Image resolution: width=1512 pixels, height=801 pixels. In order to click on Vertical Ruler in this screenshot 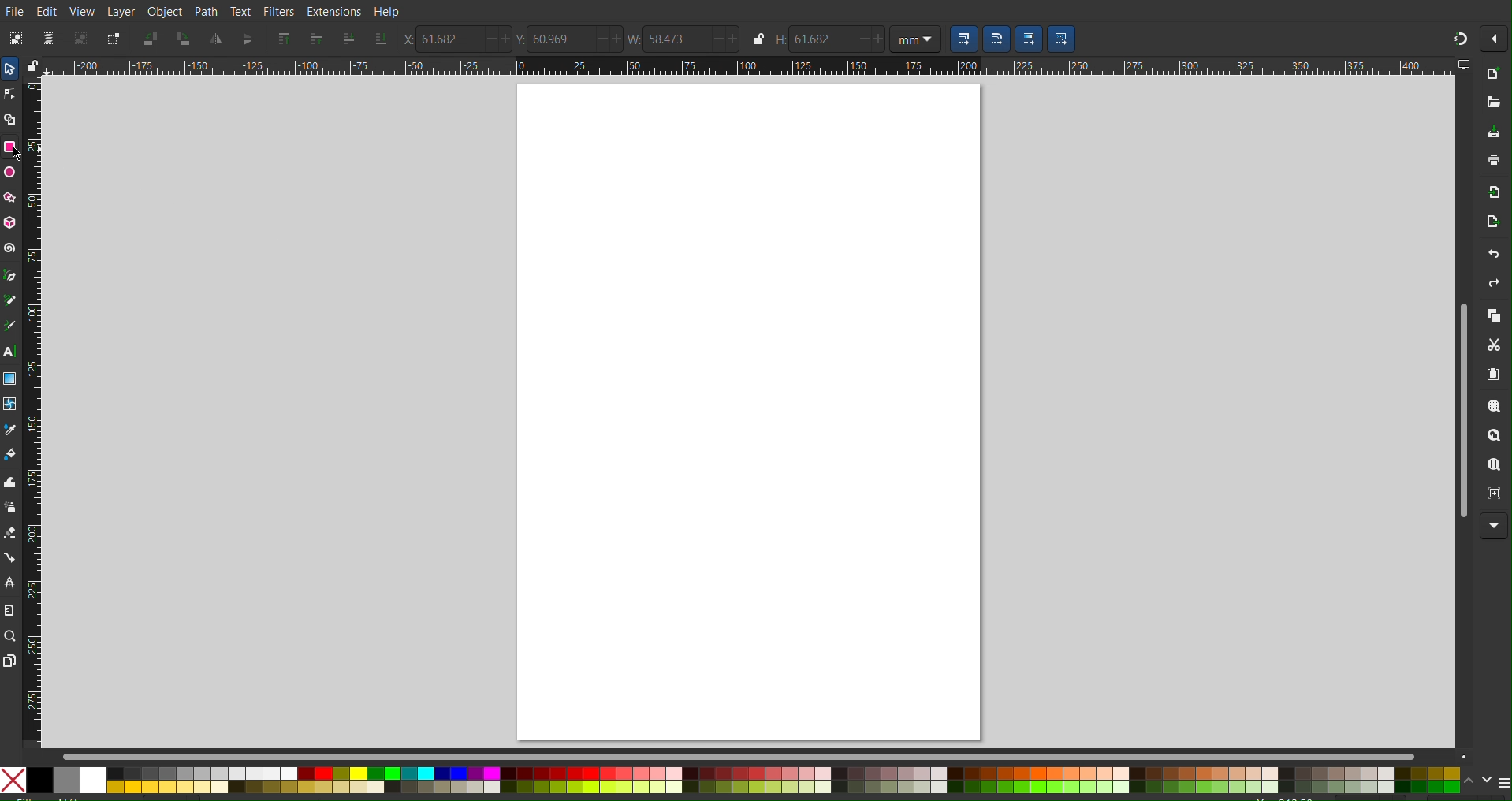, I will do `click(32, 412)`.